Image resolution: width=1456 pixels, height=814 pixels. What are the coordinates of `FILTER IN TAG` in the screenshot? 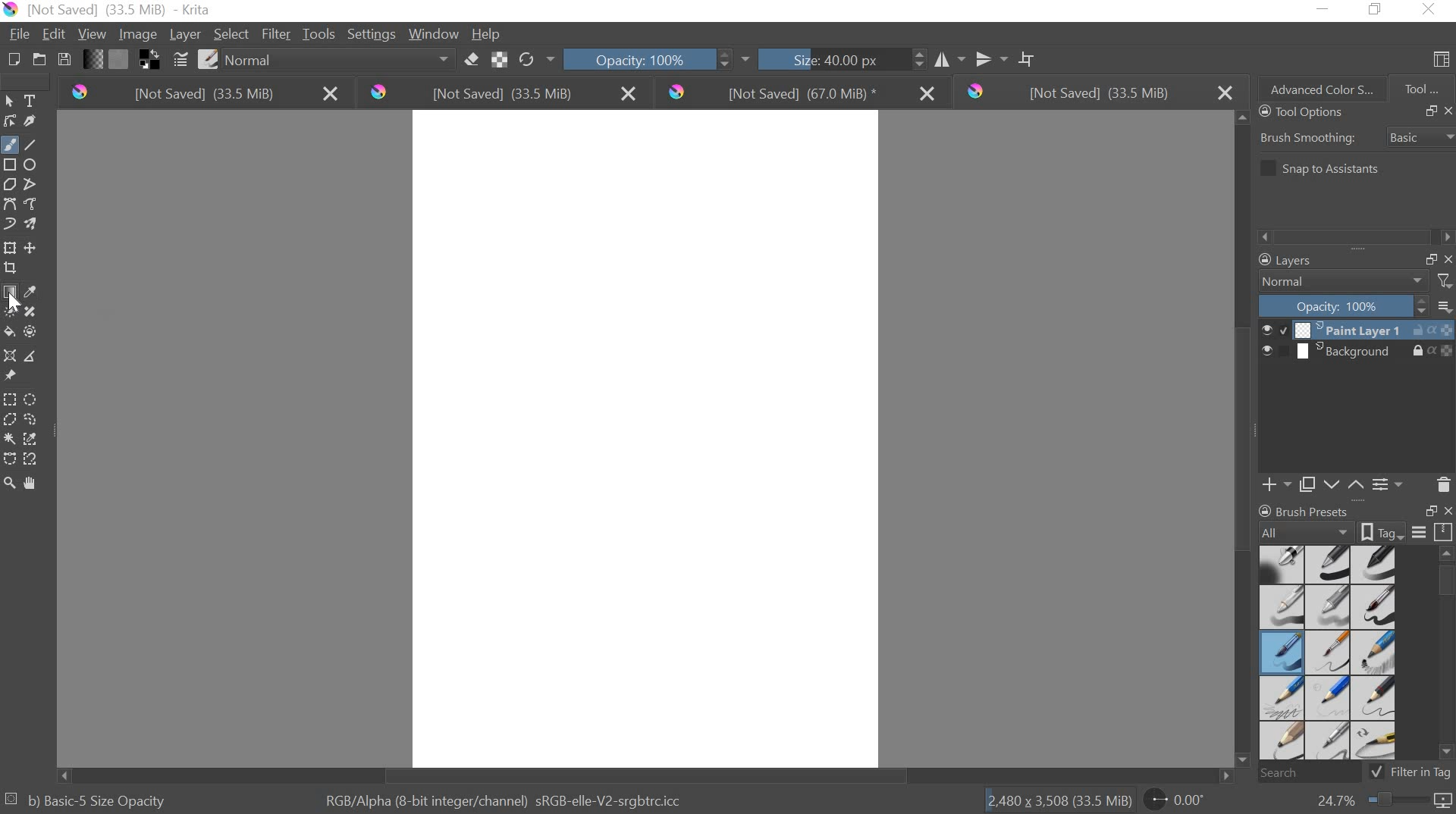 It's located at (1424, 773).